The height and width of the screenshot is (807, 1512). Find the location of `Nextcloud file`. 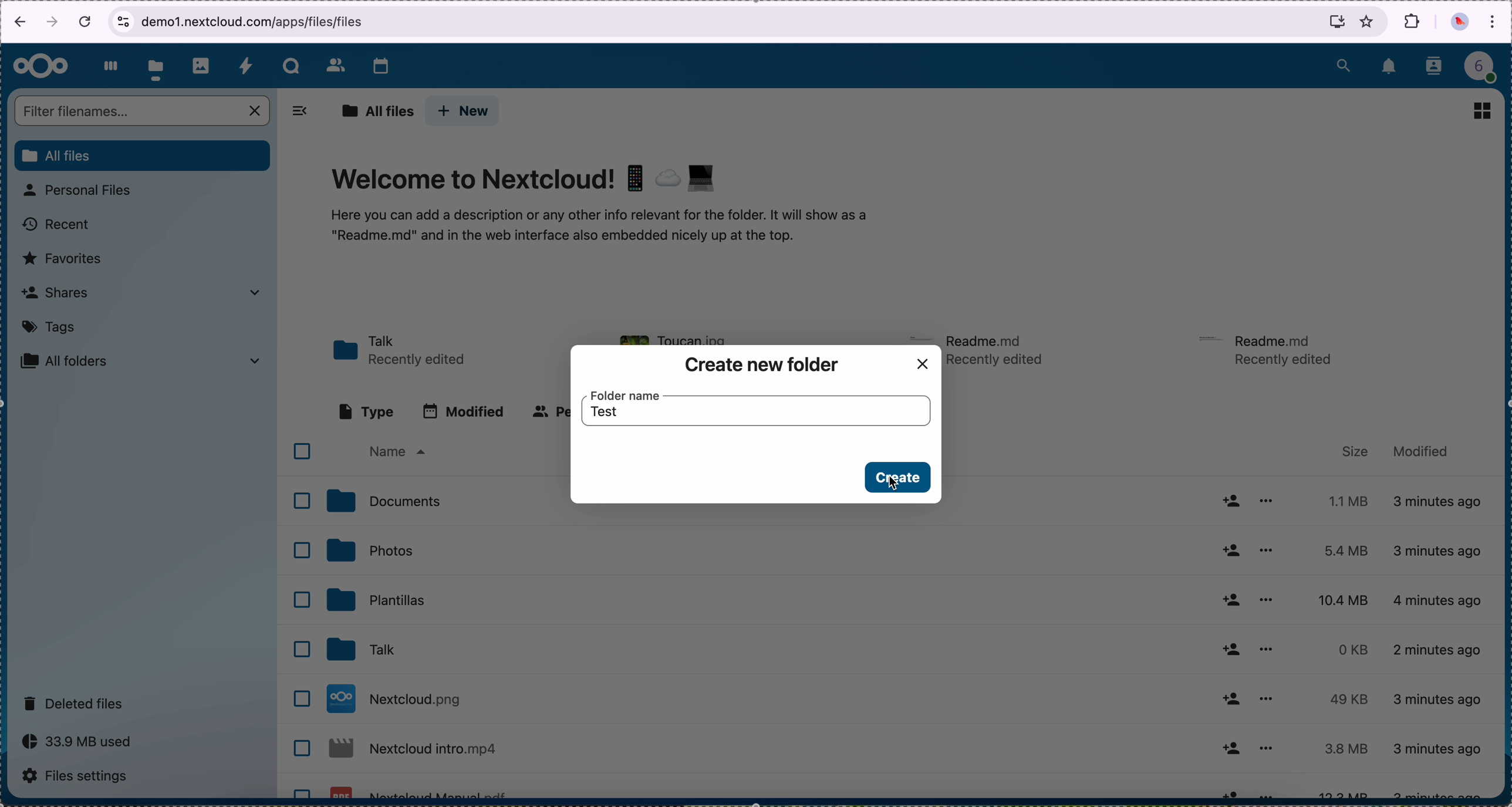

Nextcloud file is located at coordinates (420, 791).